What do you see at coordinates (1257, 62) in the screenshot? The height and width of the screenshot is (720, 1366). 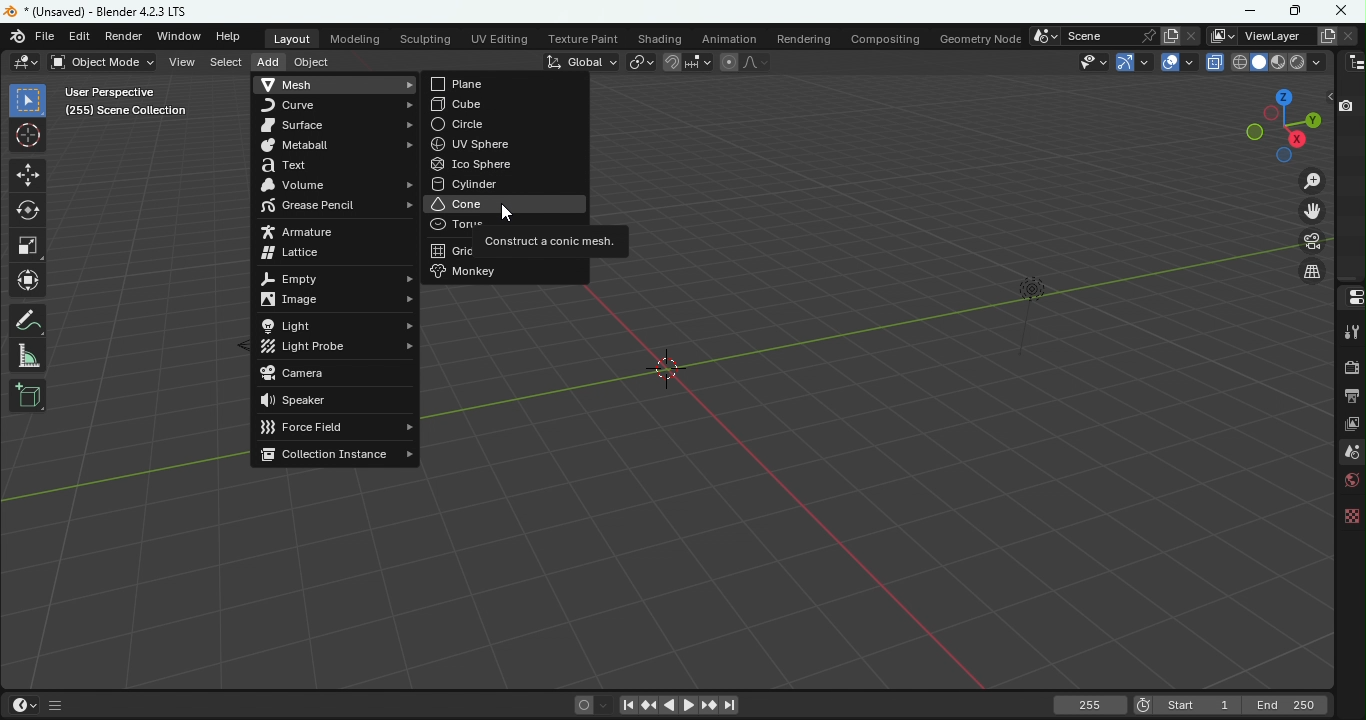 I see `Viewport shading: Solid` at bounding box center [1257, 62].